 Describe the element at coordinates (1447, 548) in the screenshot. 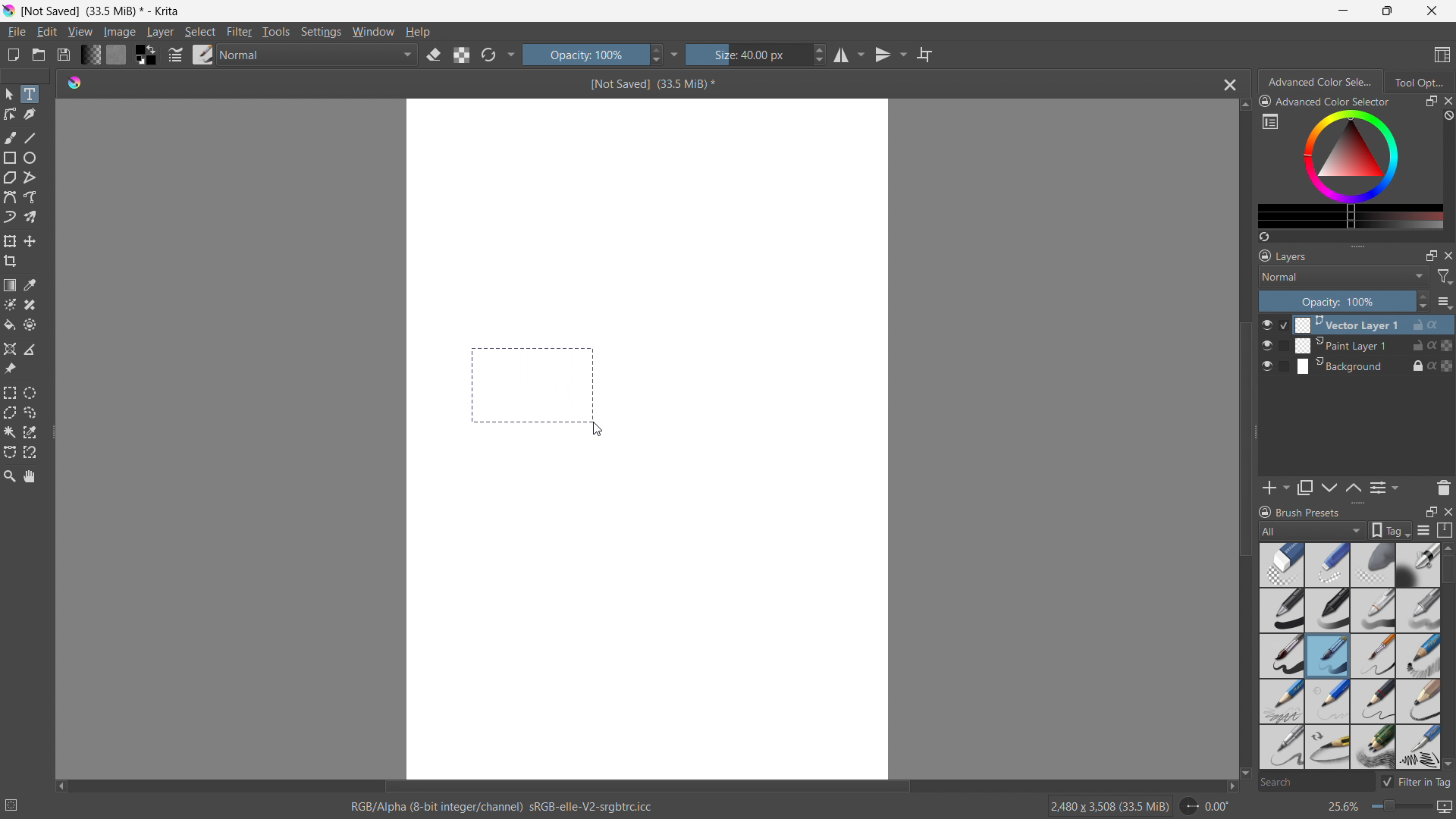

I see `scroll up` at that location.